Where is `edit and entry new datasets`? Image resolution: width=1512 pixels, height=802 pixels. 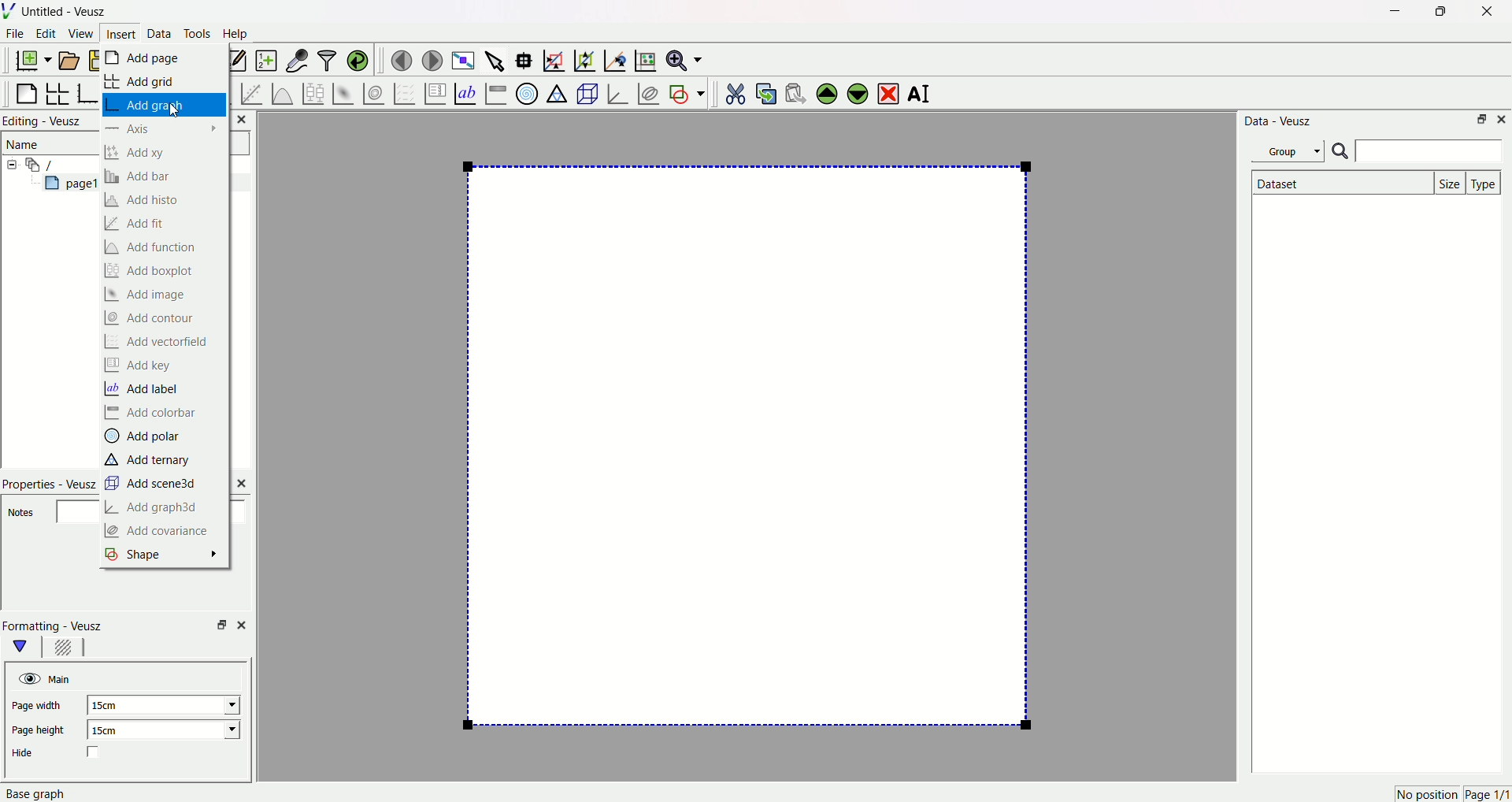 edit and entry new datasets is located at coordinates (237, 62).